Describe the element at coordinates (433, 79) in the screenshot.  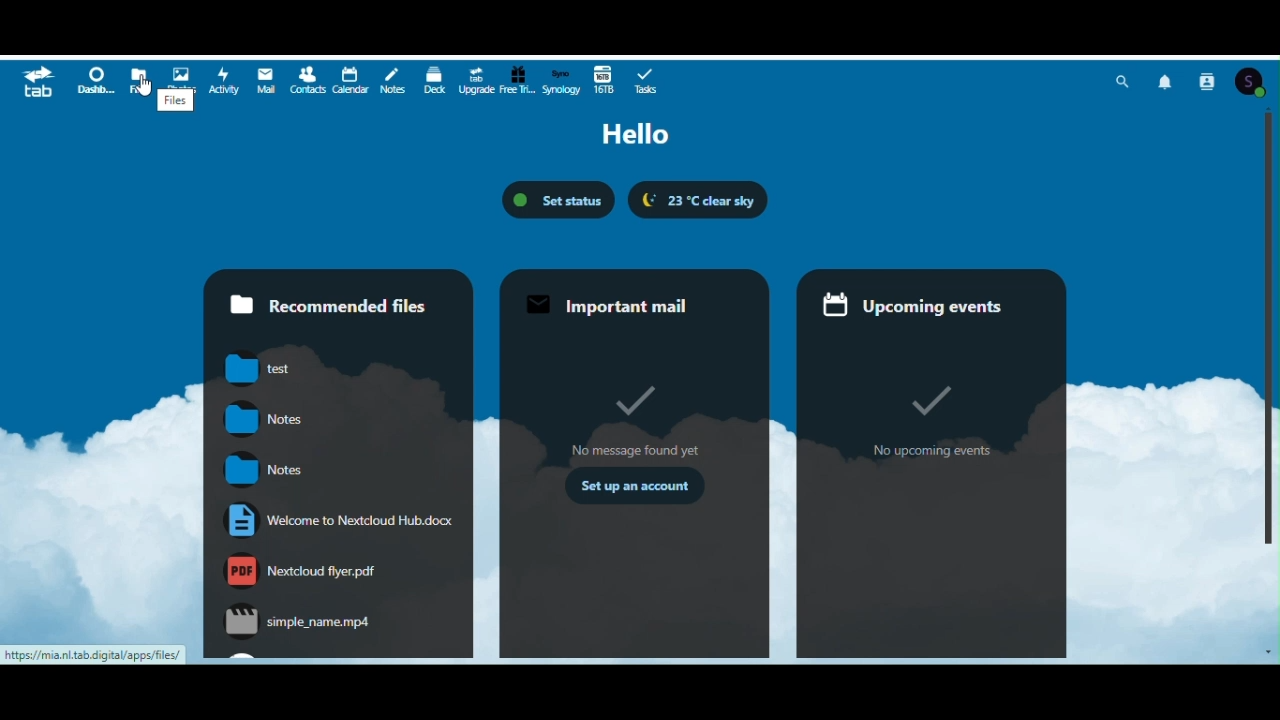
I see `D e c k` at that location.